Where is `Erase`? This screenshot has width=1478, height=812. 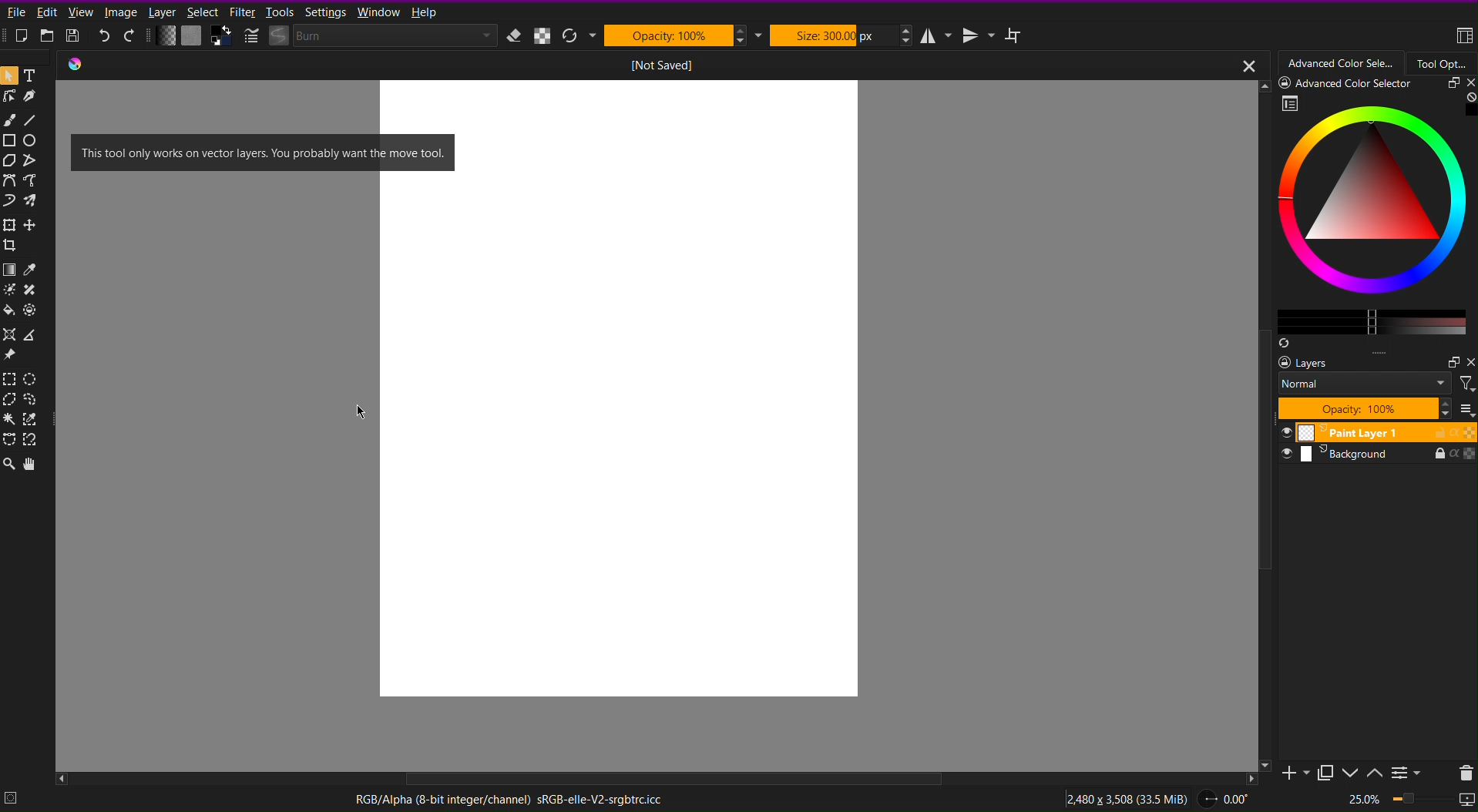 Erase is located at coordinates (515, 36).